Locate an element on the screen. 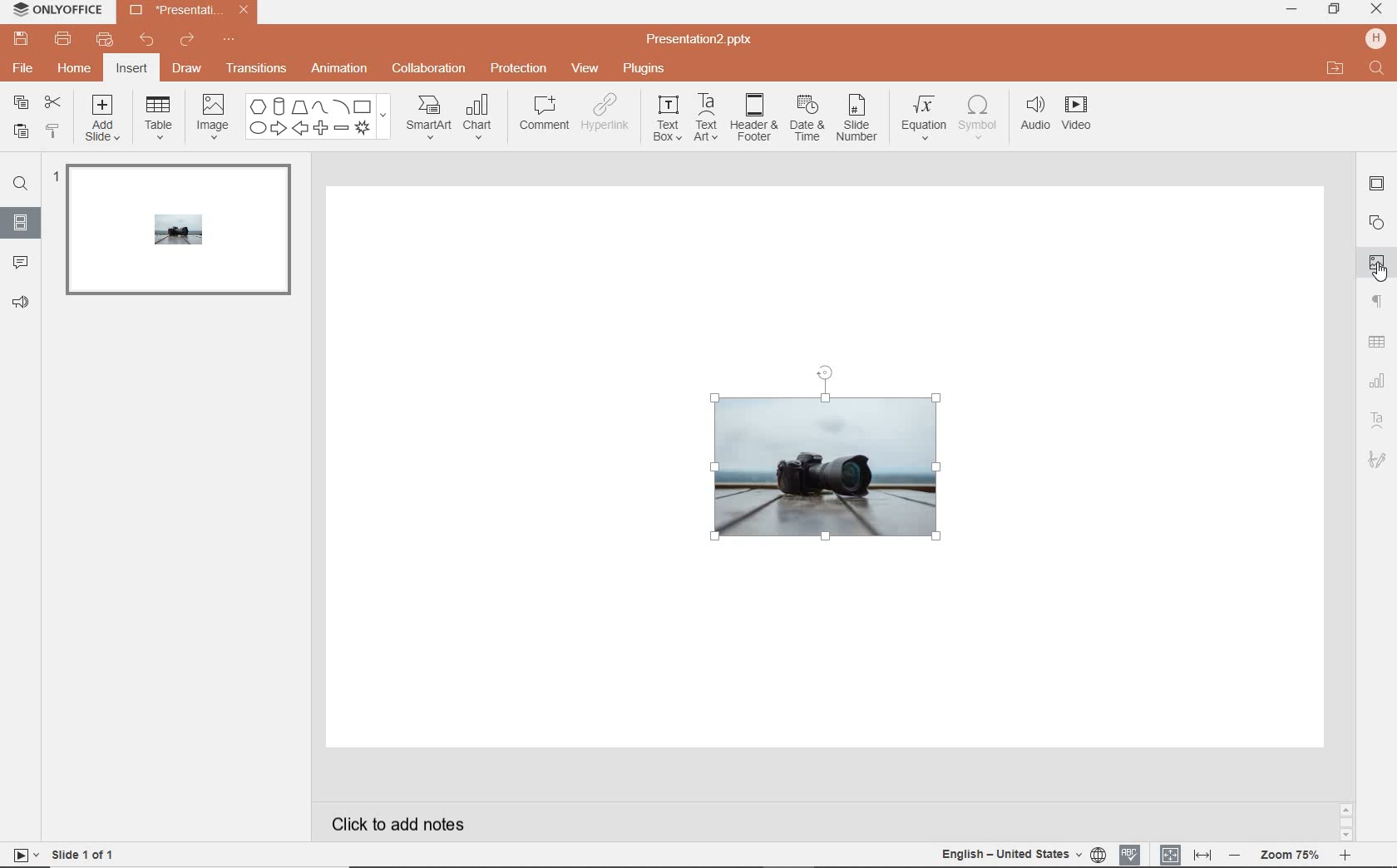 The width and height of the screenshot is (1397, 868). redo is located at coordinates (189, 42).